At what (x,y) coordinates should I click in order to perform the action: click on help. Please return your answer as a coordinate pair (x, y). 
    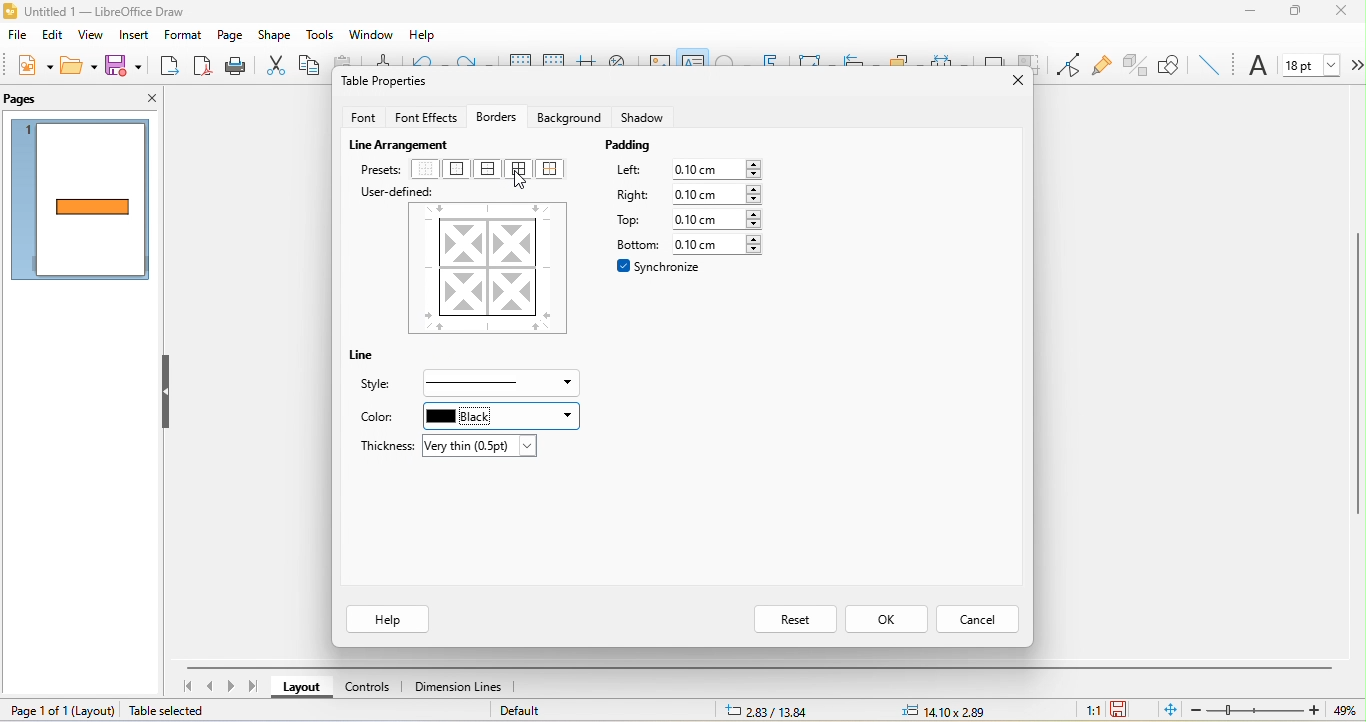
    Looking at the image, I should click on (427, 36).